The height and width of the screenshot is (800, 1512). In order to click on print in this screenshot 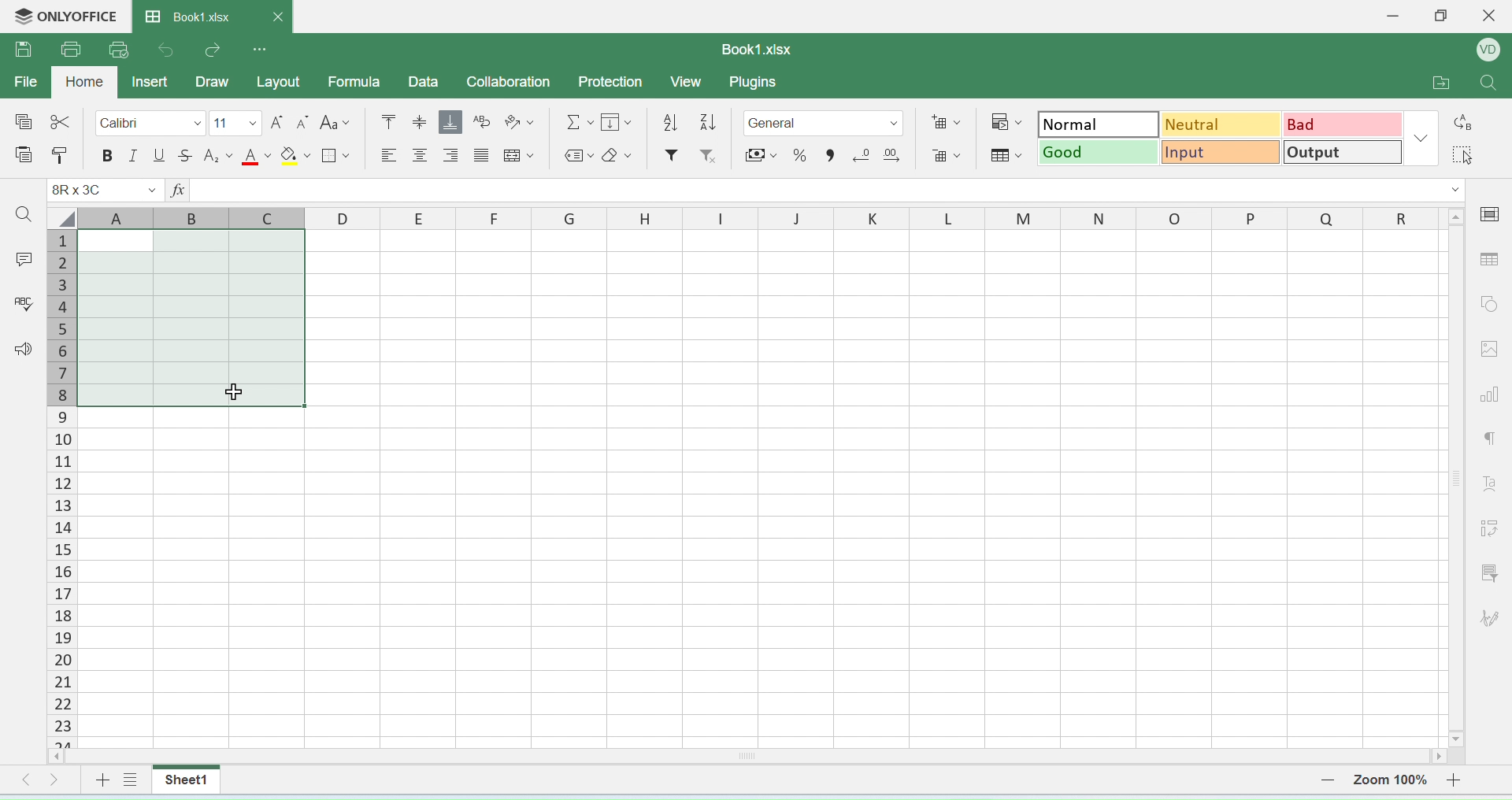, I will do `click(74, 47)`.